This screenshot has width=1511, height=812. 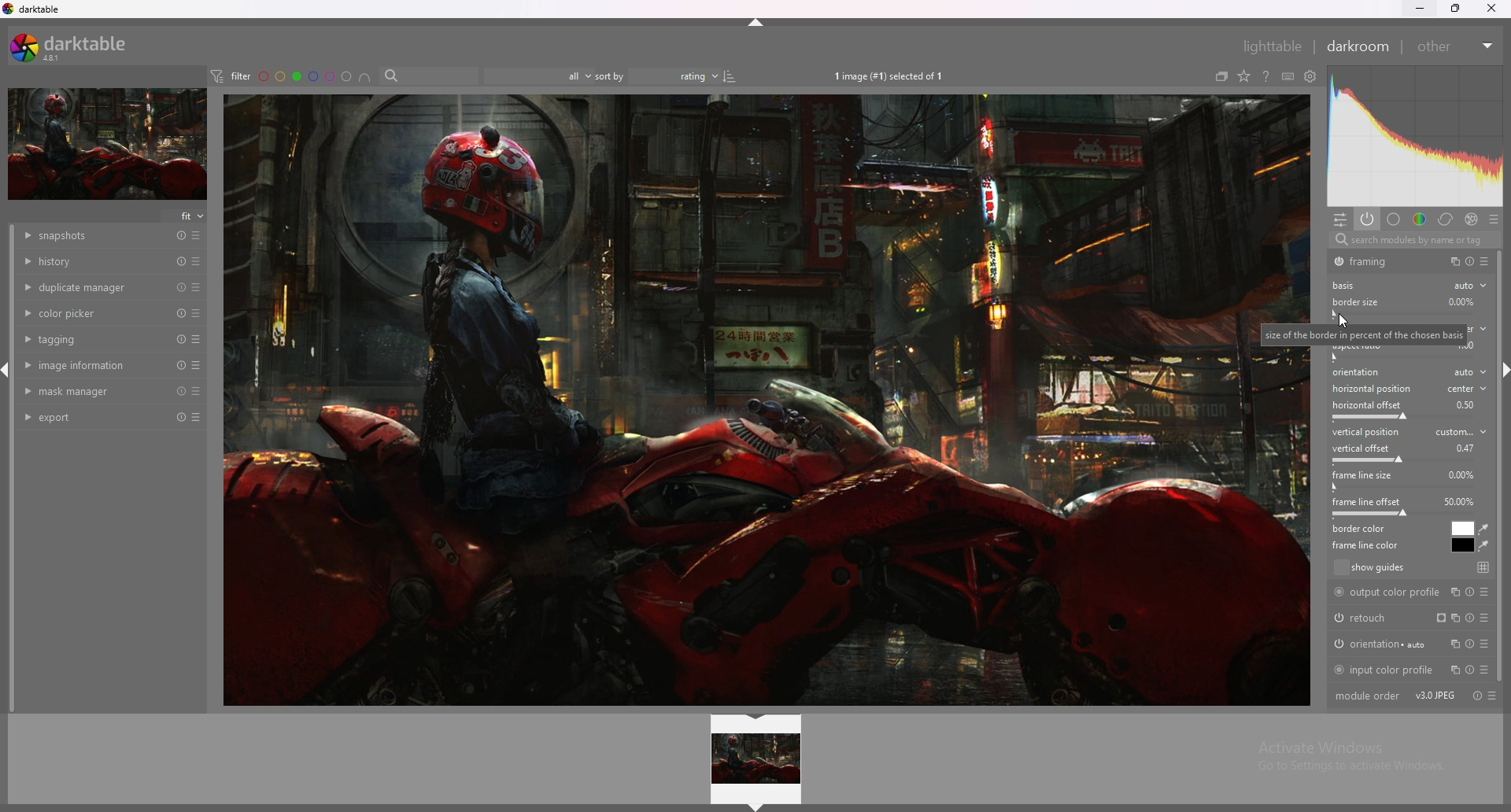 What do you see at coordinates (182, 314) in the screenshot?
I see `reset` at bounding box center [182, 314].